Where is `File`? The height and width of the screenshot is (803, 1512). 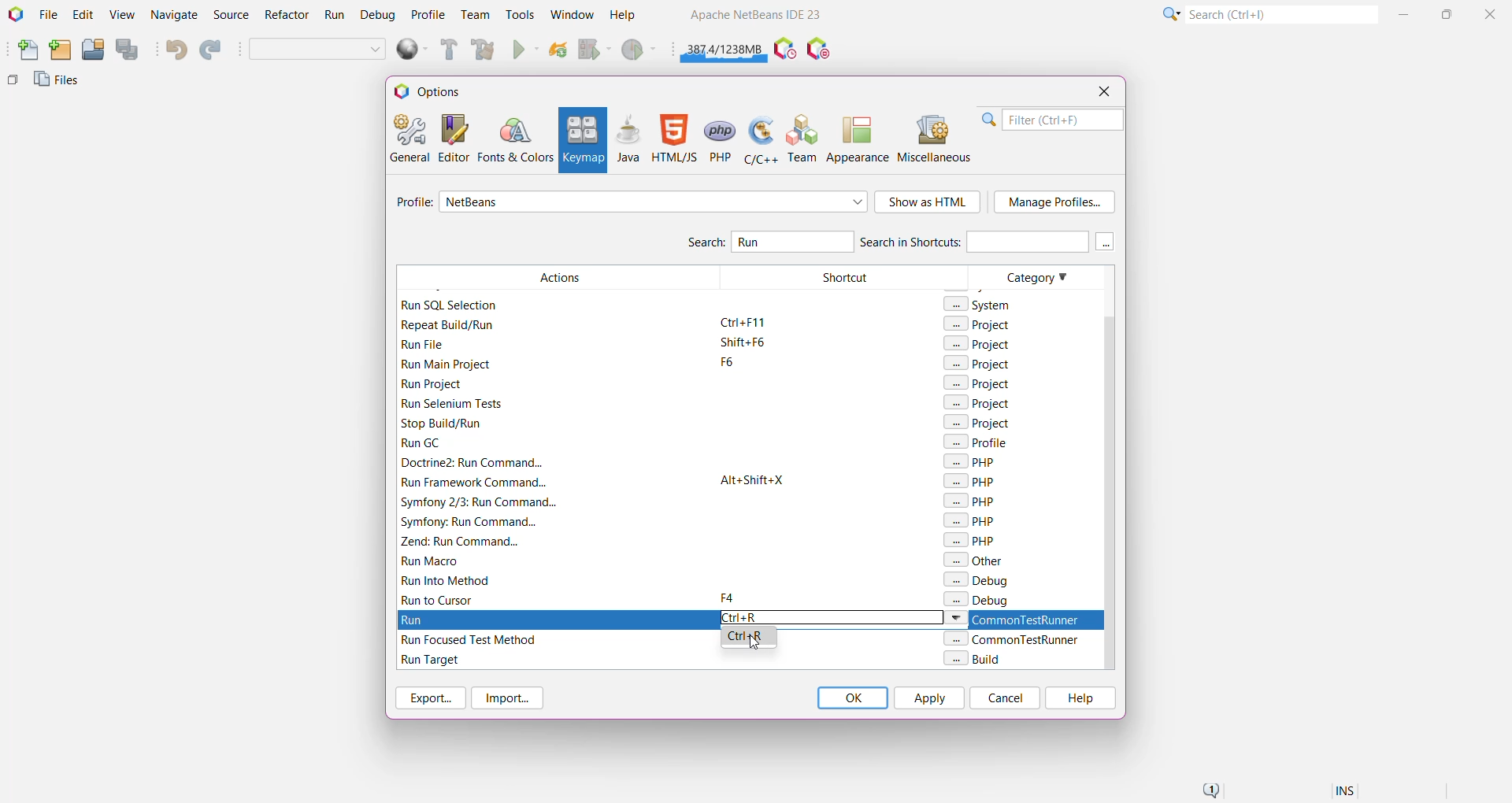
File is located at coordinates (48, 15).